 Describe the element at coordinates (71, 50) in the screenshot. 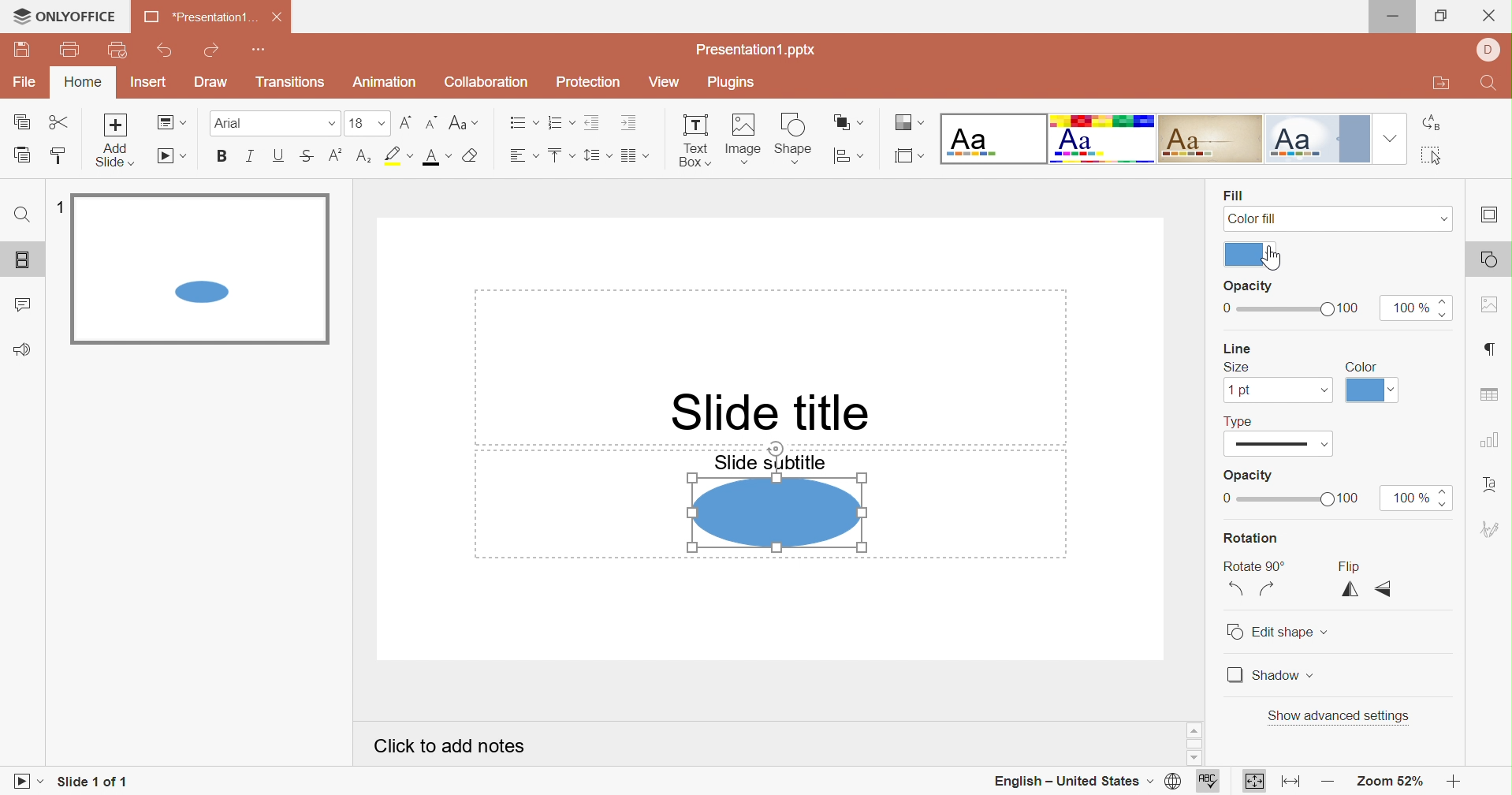

I see `Print file` at that location.